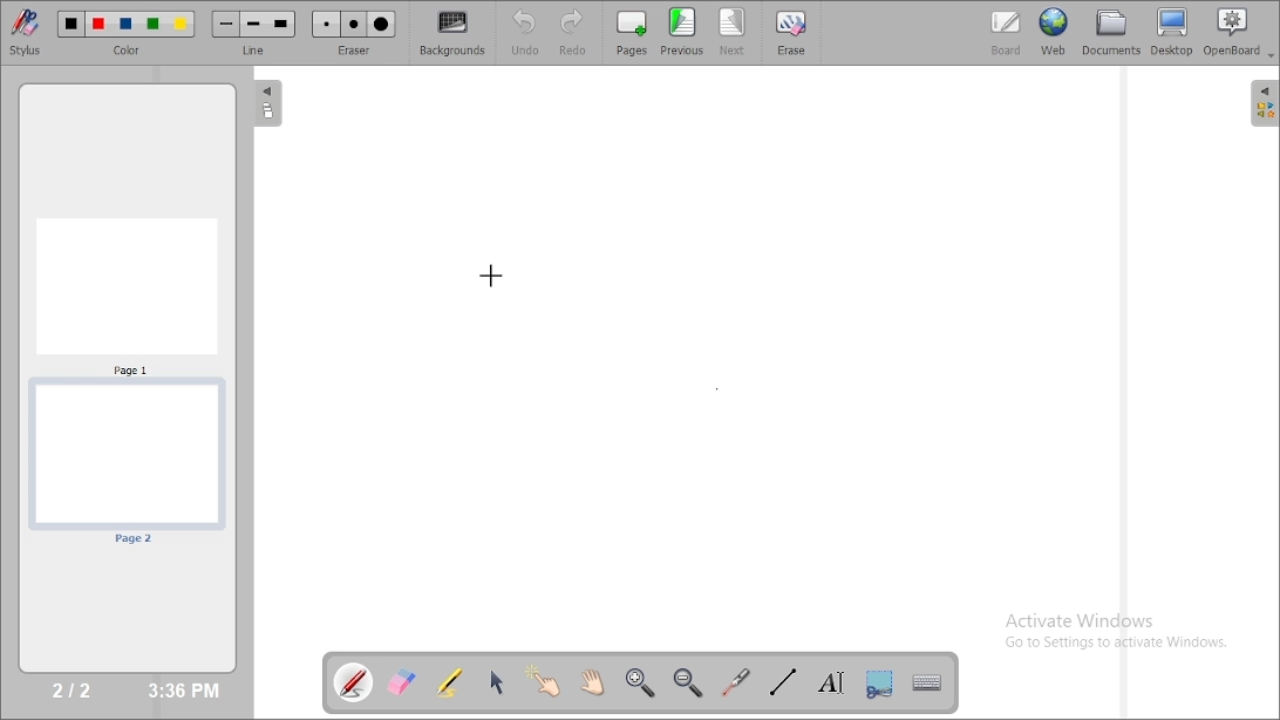 Image resolution: width=1280 pixels, height=720 pixels. What do you see at coordinates (355, 684) in the screenshot?
I see `annotate document` at bounding box center [355, 684].